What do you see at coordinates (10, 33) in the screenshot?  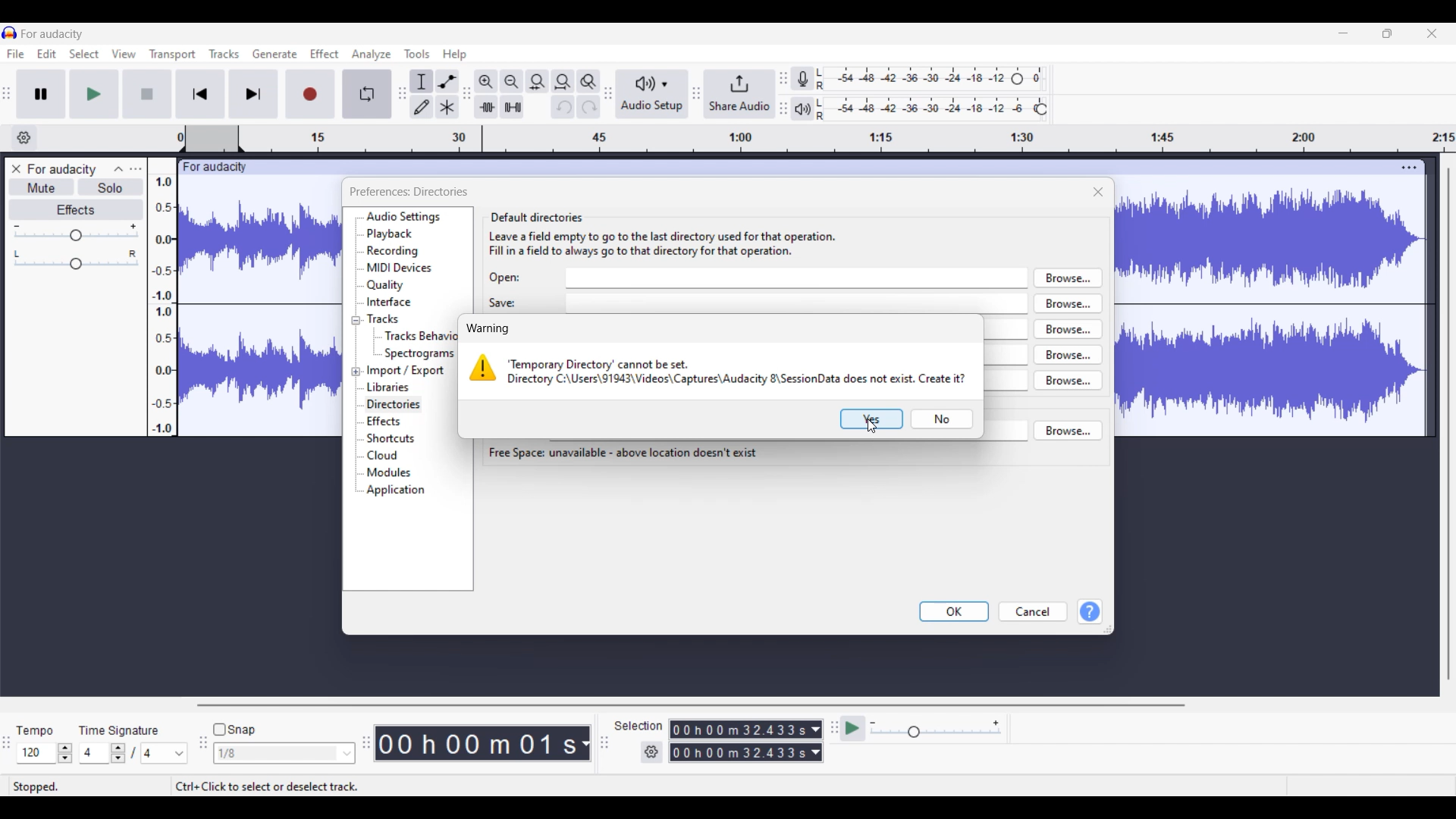 I see `Software logo` at bounding box center [10, 33].